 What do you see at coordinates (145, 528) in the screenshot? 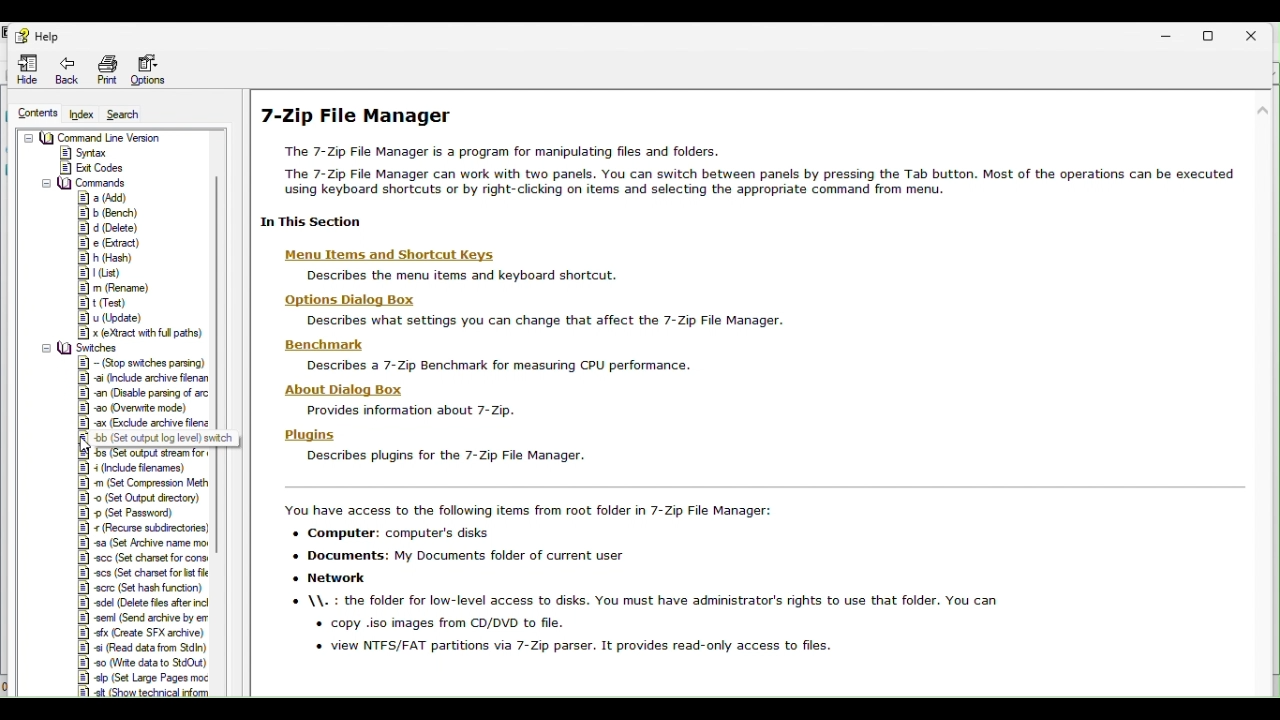
I see `£] + (Recurse subdirectories)` at bounding box center [145, 528].